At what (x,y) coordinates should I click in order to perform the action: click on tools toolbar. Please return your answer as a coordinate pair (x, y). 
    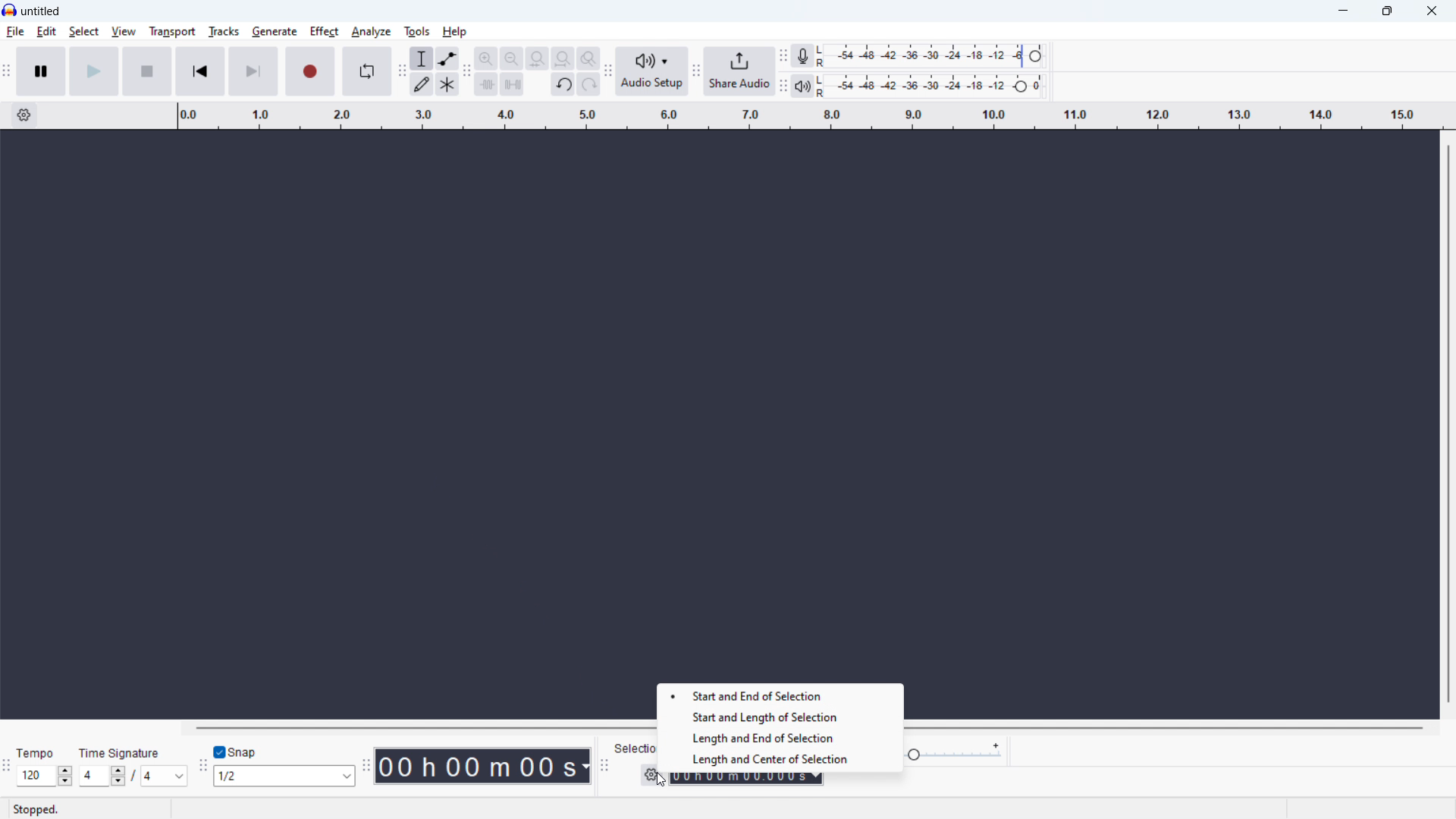
    Looking at the image, I should click on (400, 72).